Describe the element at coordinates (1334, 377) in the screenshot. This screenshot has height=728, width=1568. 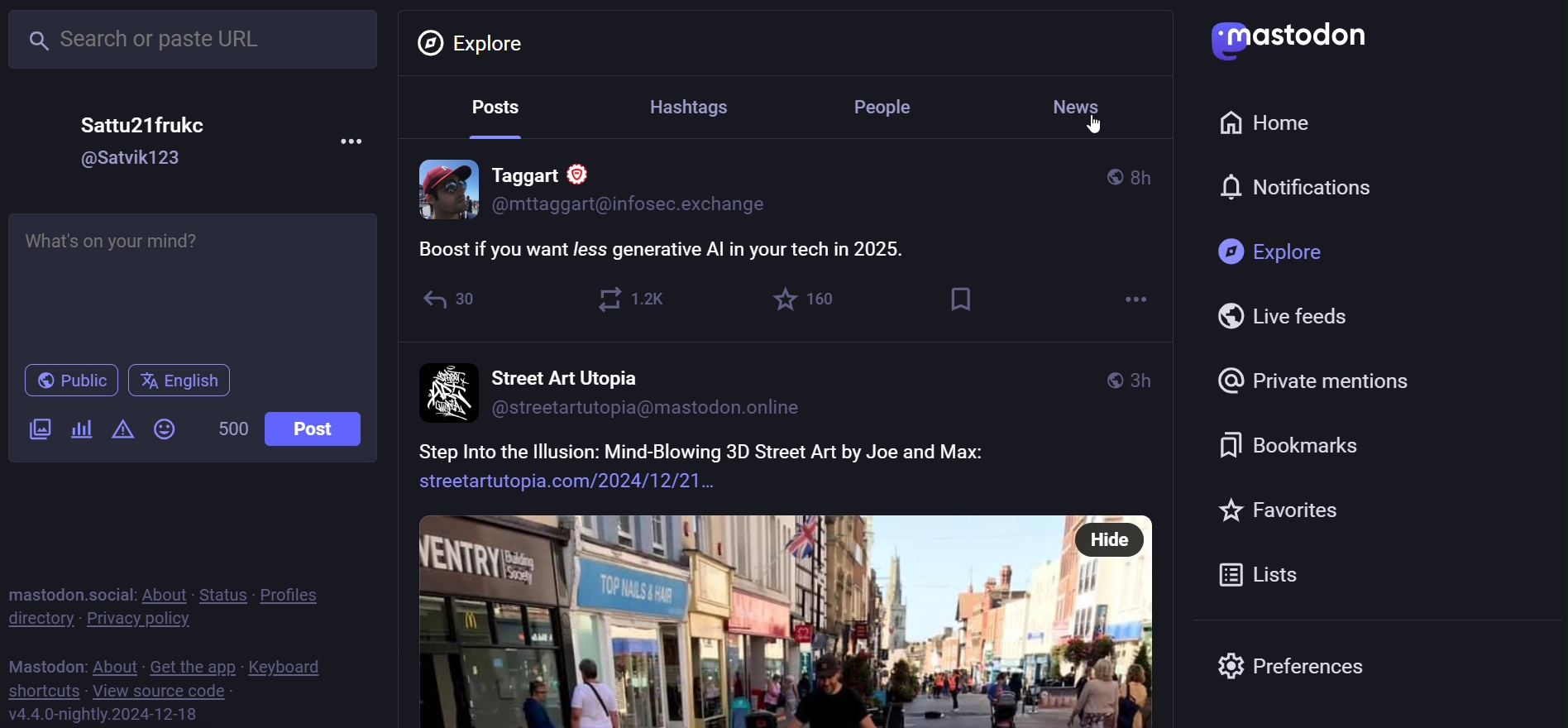
I see `private mention` at that location.